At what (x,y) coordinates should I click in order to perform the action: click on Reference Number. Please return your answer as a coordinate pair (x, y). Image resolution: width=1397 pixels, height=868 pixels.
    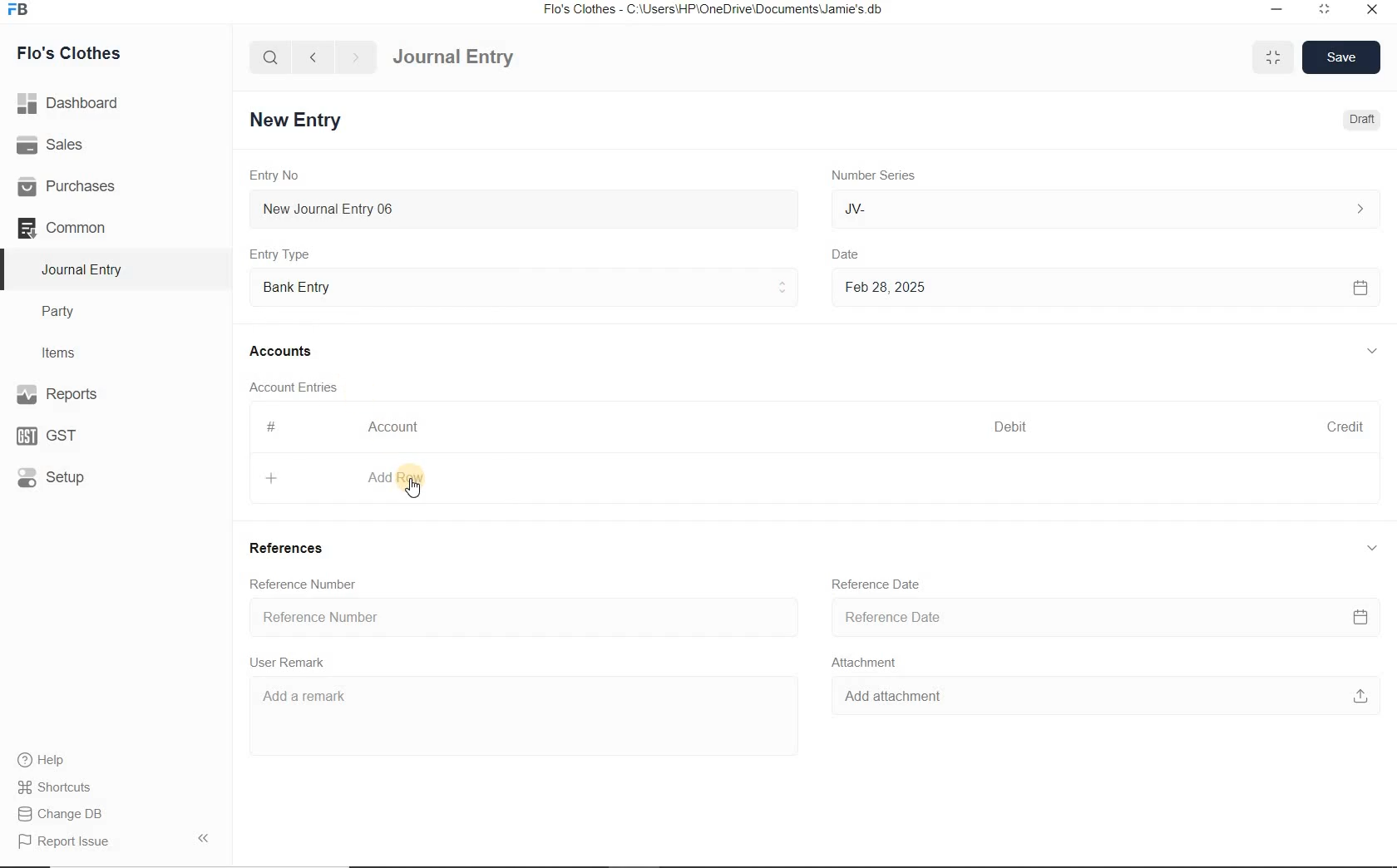
    Looking at the image, I should click on (308, 584).